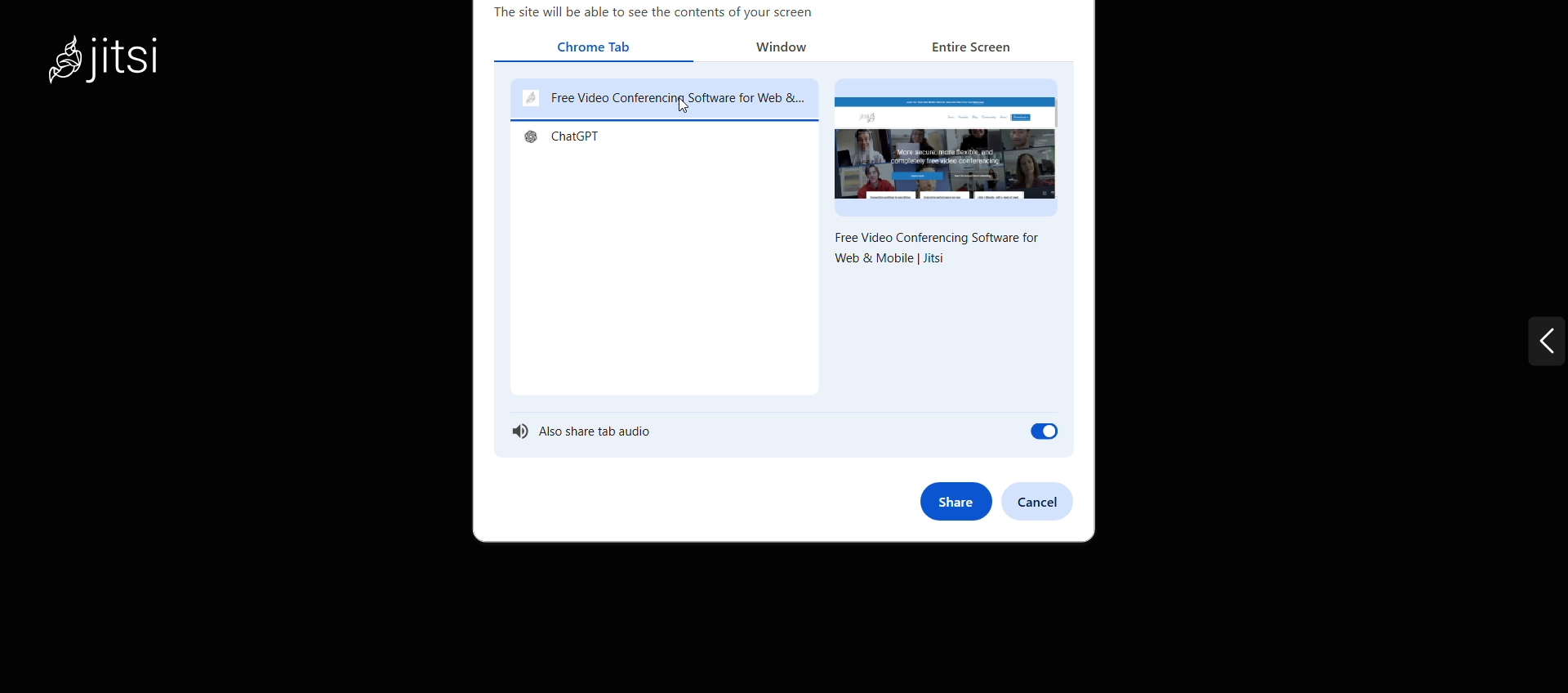  Describe the element at coordinates (782, 435) in the screenshot. I see `Also share tab audio` at that location.